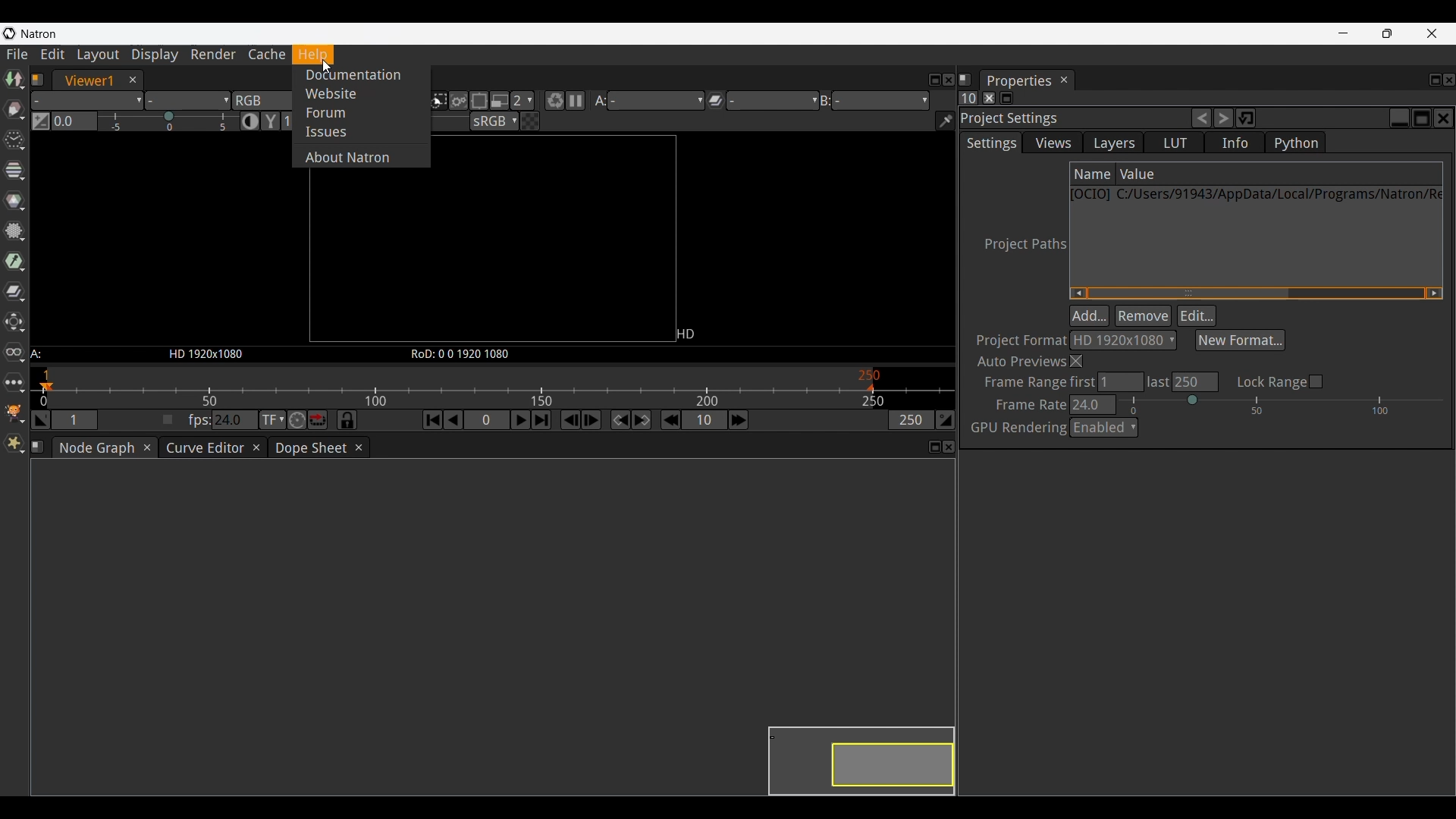  Describe the element at coordinates (308, 448) in the screenshot. I see `Dope sheet` at that location.